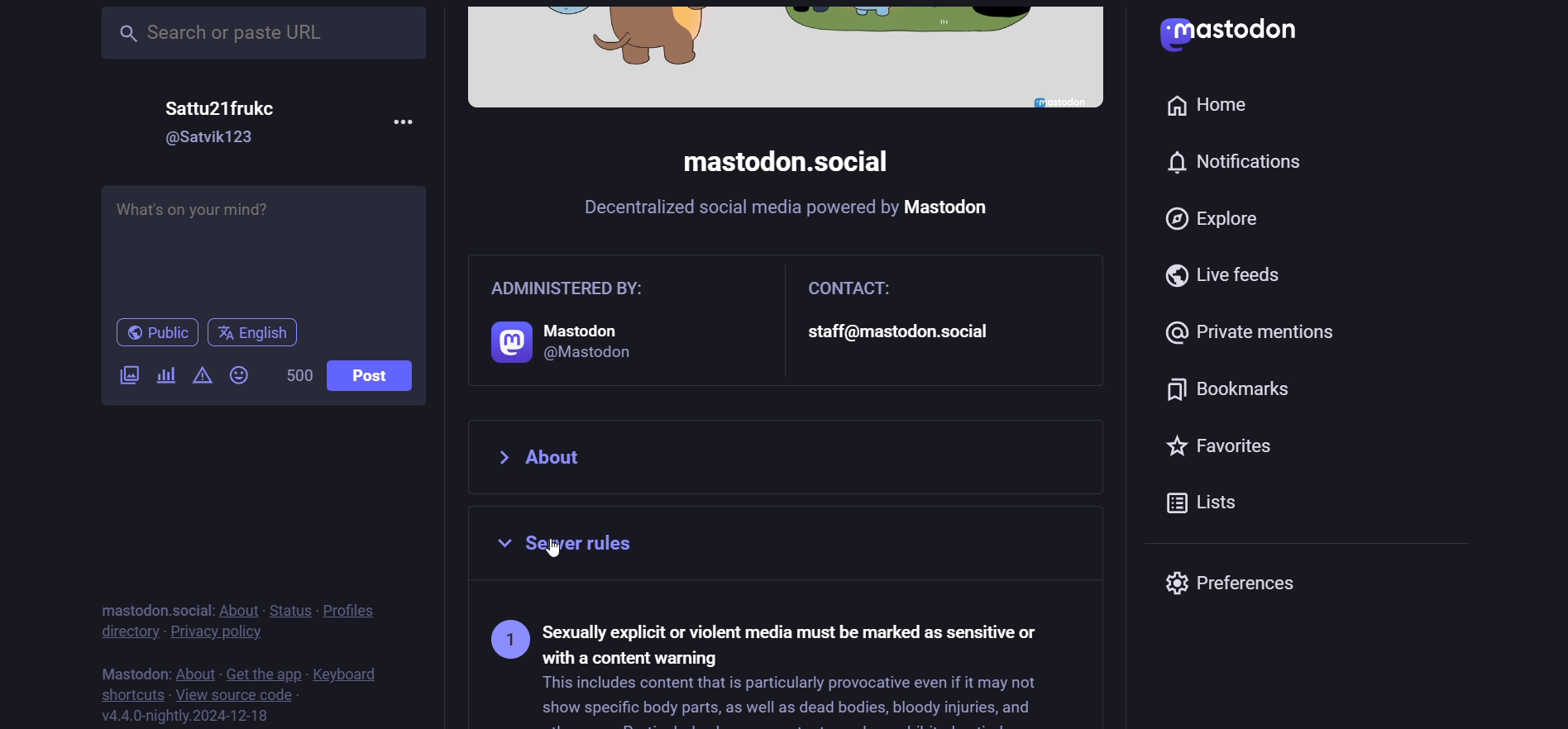 The height and width of the screenshot is (729, 1568). I want to click on public, so click(148, 334).